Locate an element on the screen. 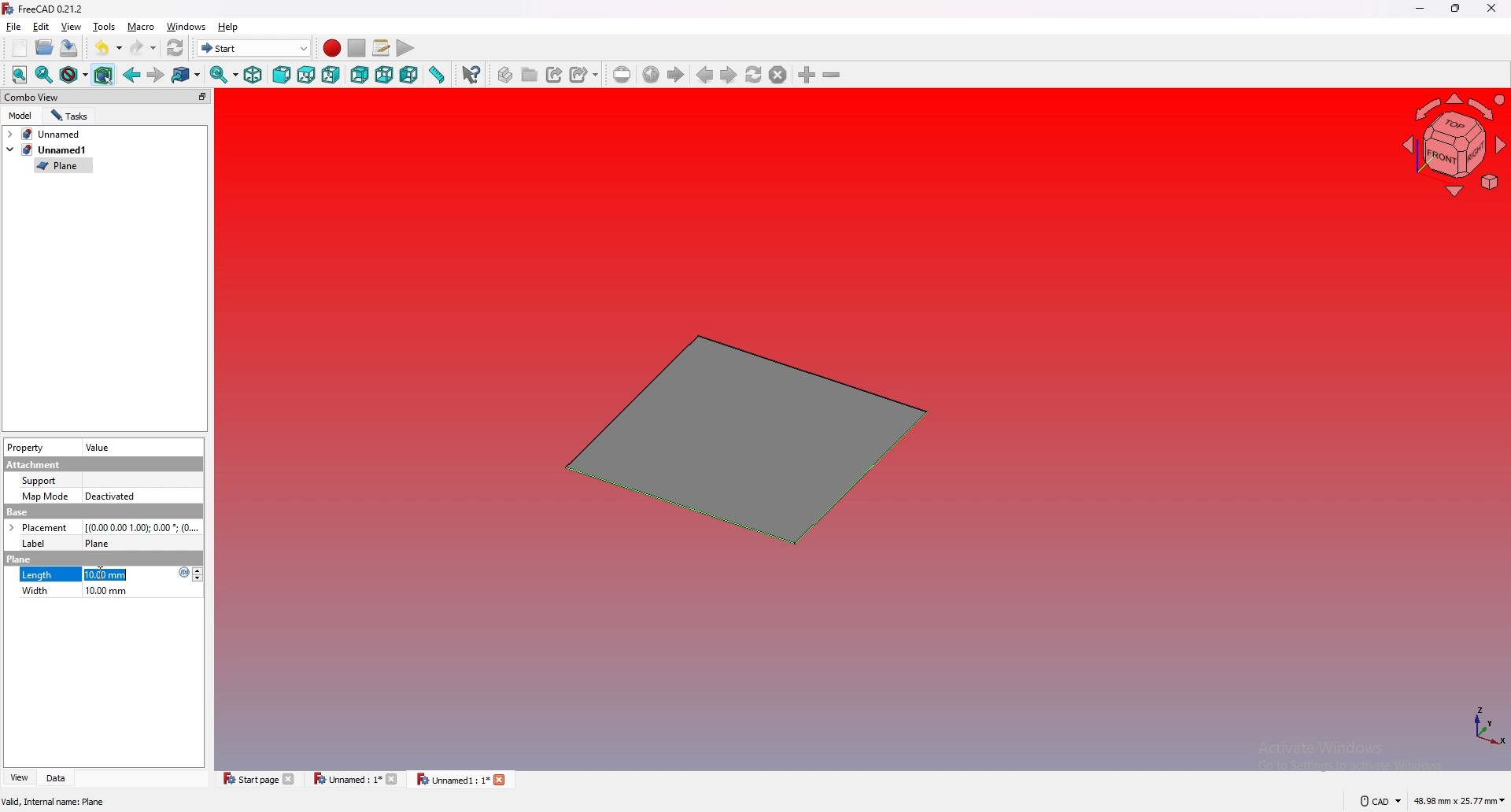 Image resolution: width=1511 pixels, height=812 pixels. previous page is located at coordinates (706, 75).